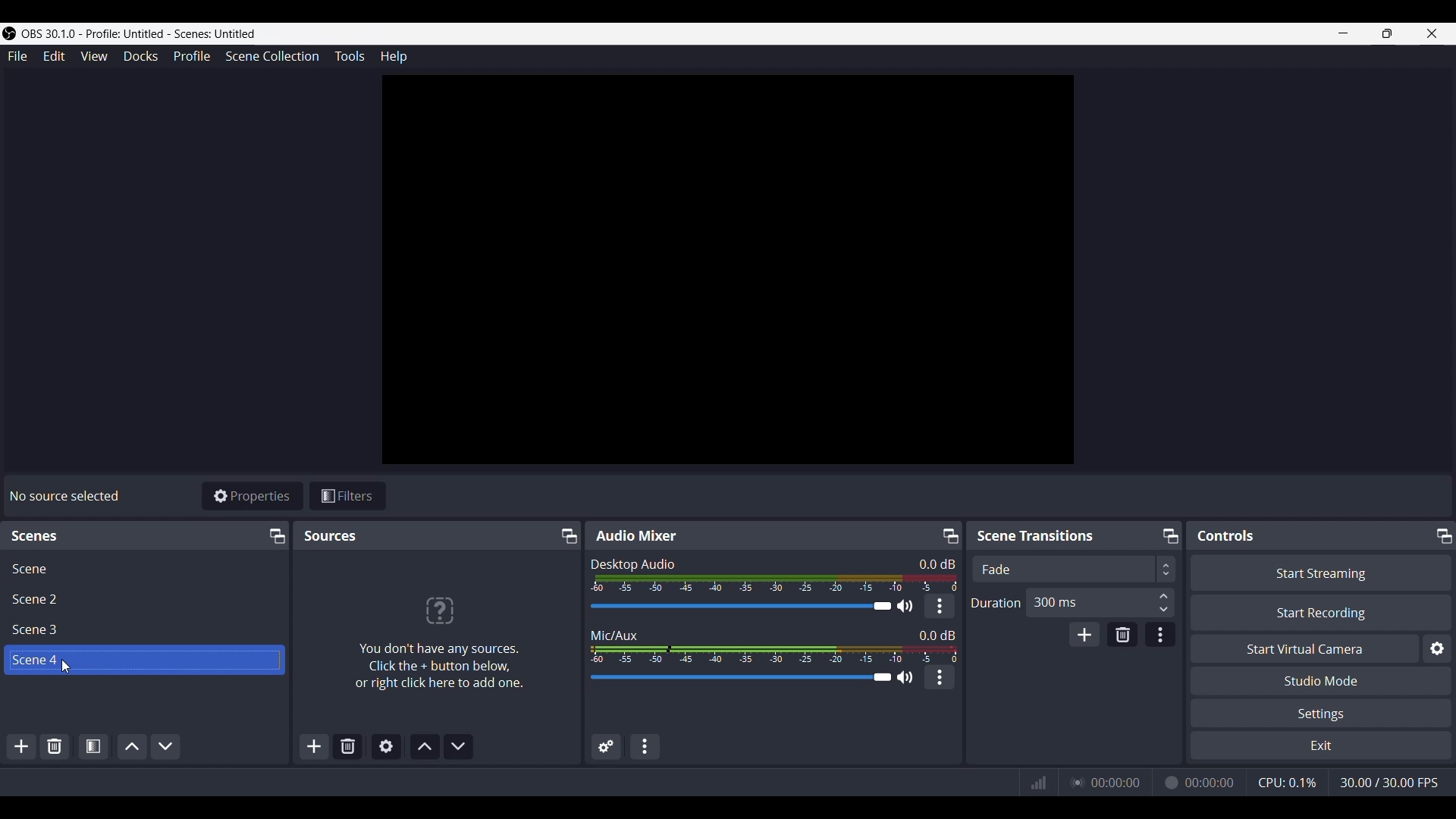 The width and height of the screenshot is (1456, 819). What do you see at coordinates (1247, 569) in the screenshot?
I see `Transition Type Dropdown` at bounding box center [1247, 569].